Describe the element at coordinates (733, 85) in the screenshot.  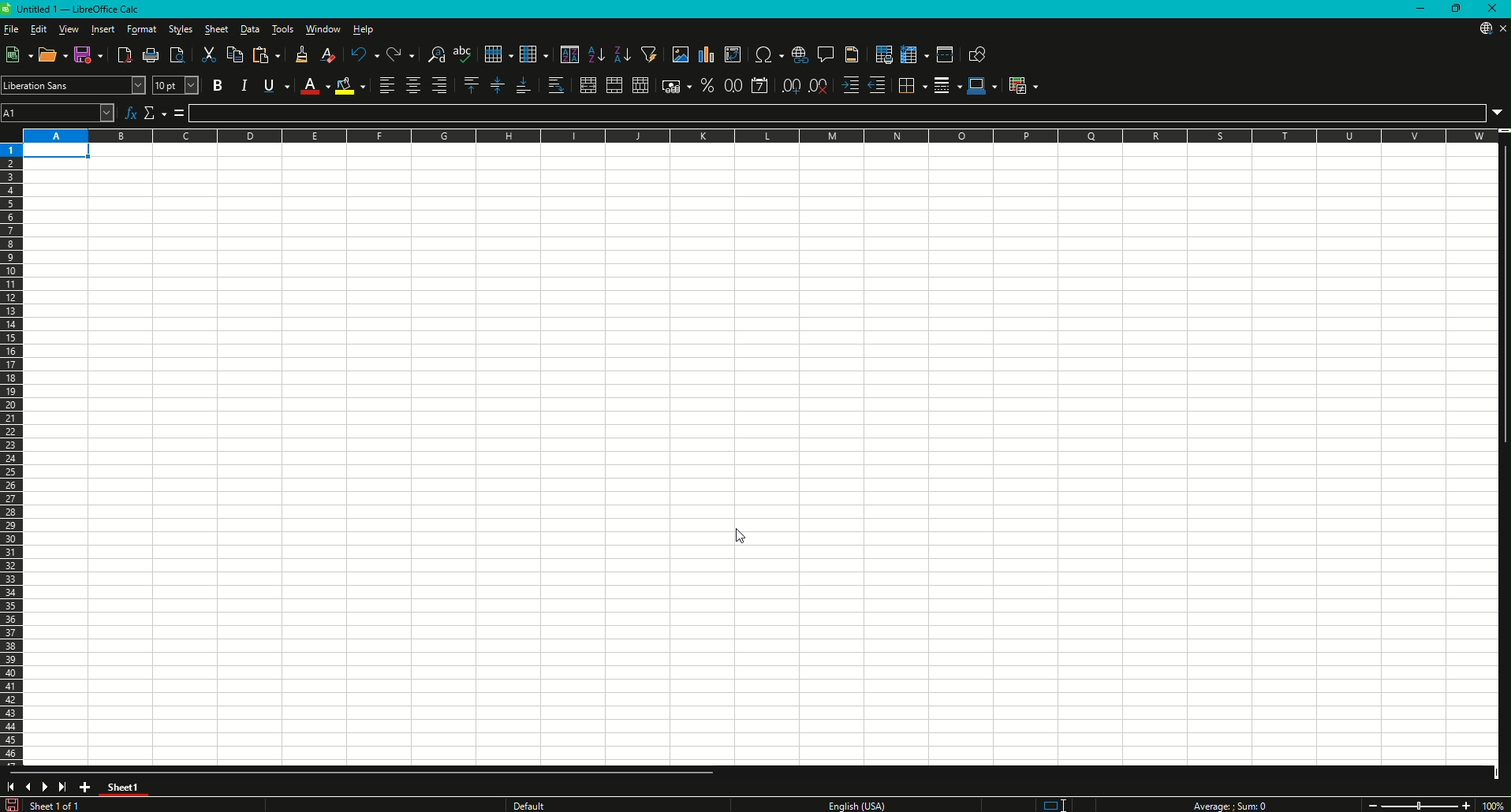
I see `Format as Number` at that location.